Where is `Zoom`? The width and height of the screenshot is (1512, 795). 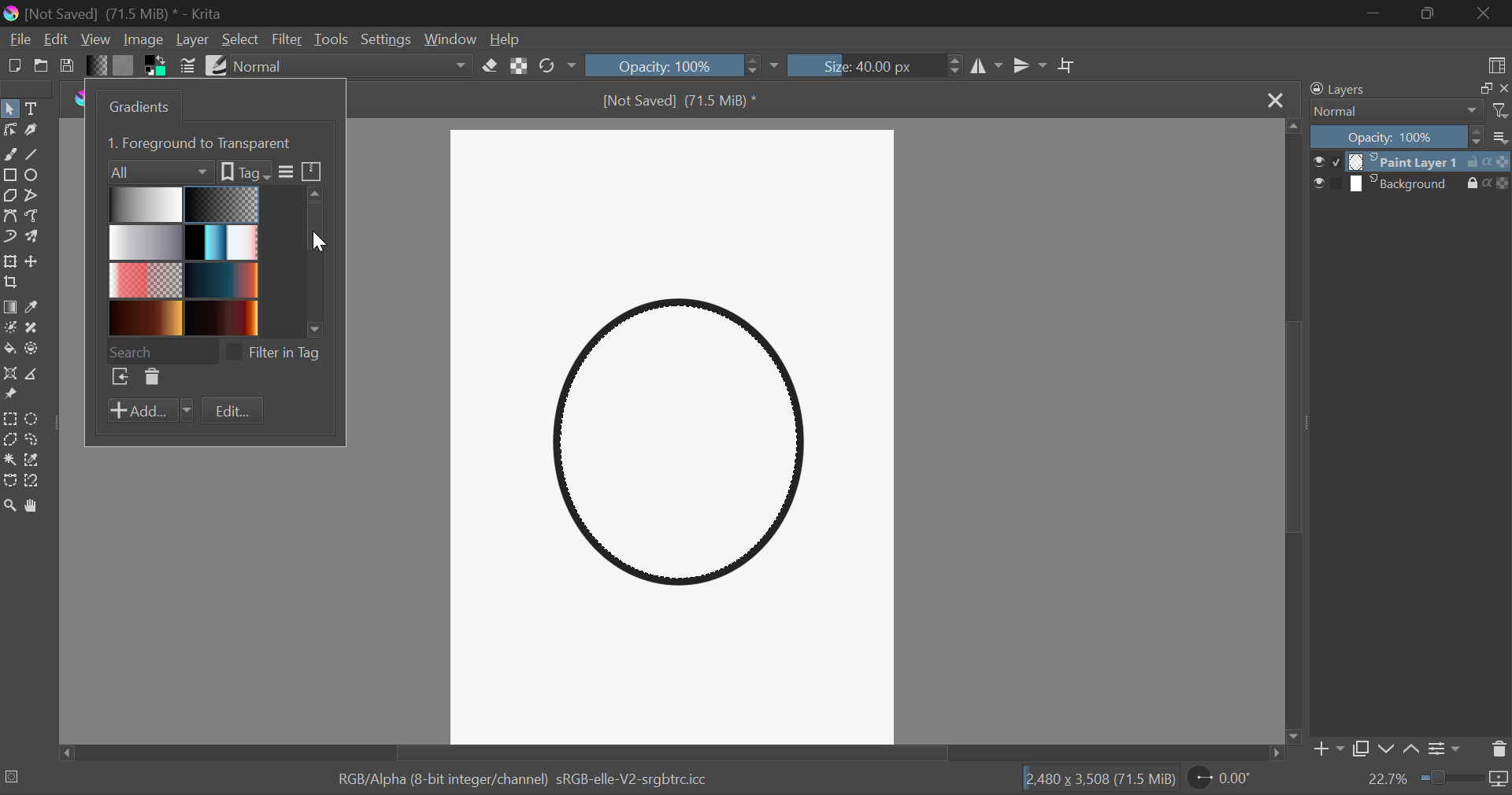
Zoom is located at coordinates (11, 507).